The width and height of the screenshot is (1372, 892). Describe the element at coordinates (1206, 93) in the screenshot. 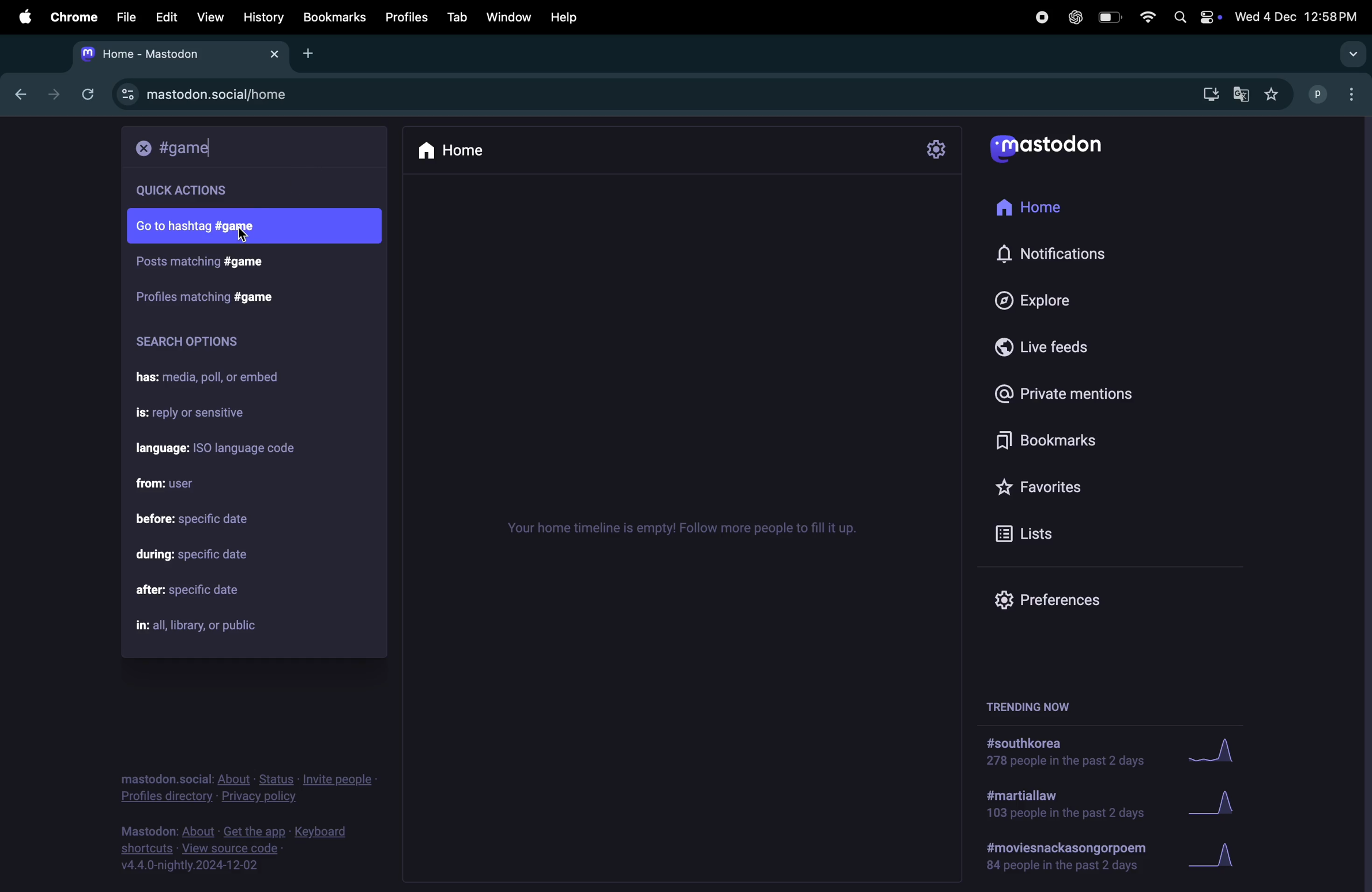

I see `download` at that location.